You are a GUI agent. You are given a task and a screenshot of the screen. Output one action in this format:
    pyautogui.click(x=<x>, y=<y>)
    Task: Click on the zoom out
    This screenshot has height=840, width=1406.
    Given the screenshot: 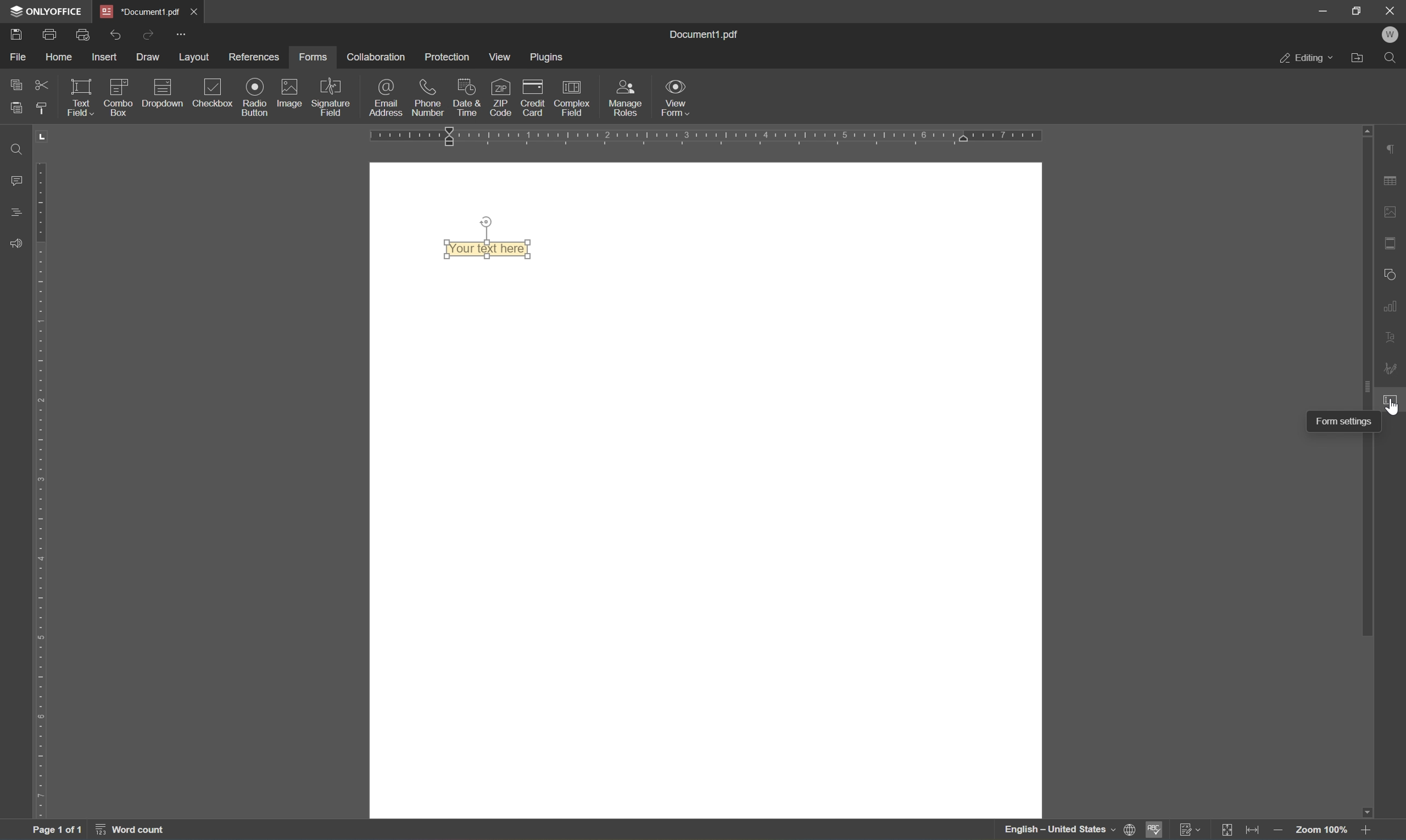 What is the action you would take?
    pyautogui.click(x=1277, y=832)
    